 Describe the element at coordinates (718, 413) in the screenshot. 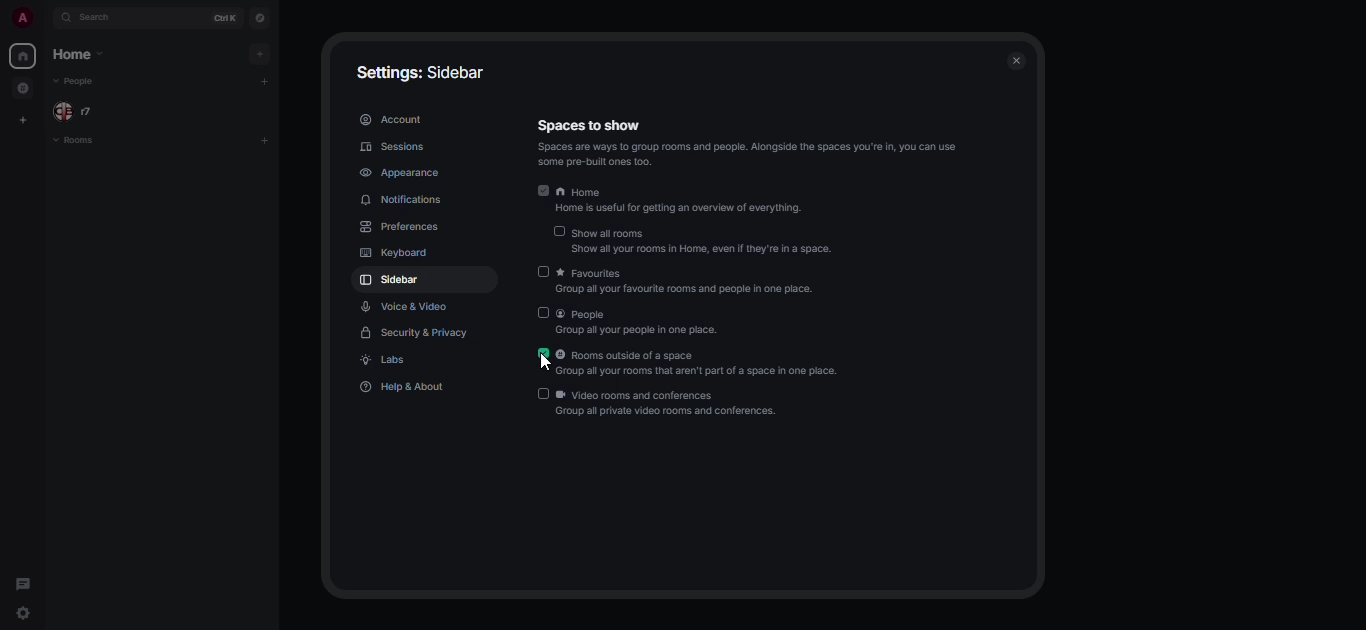

I see `Group all private video rooms and conferences.` at that location.